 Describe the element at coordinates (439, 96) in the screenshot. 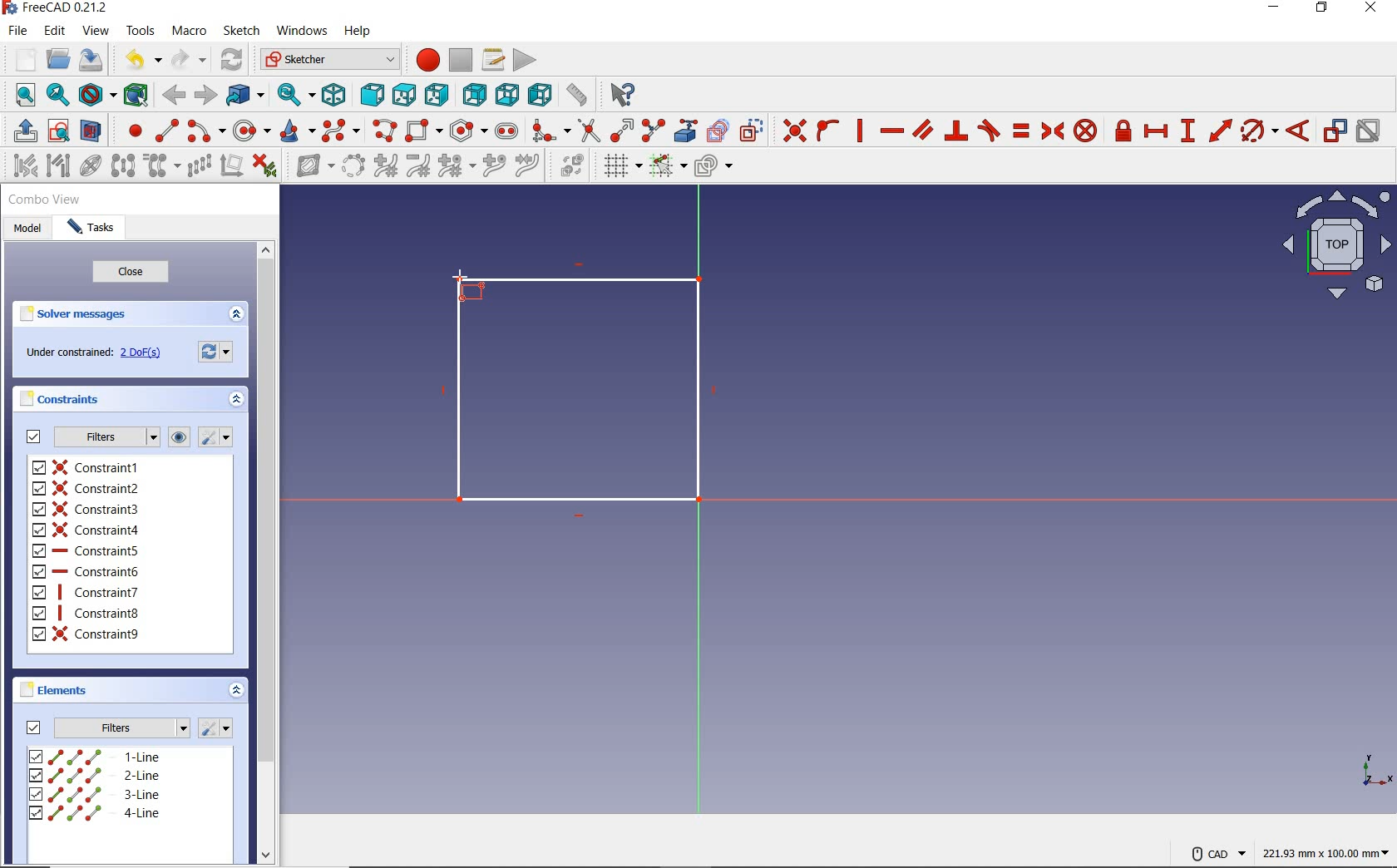

I see `right` at that location.